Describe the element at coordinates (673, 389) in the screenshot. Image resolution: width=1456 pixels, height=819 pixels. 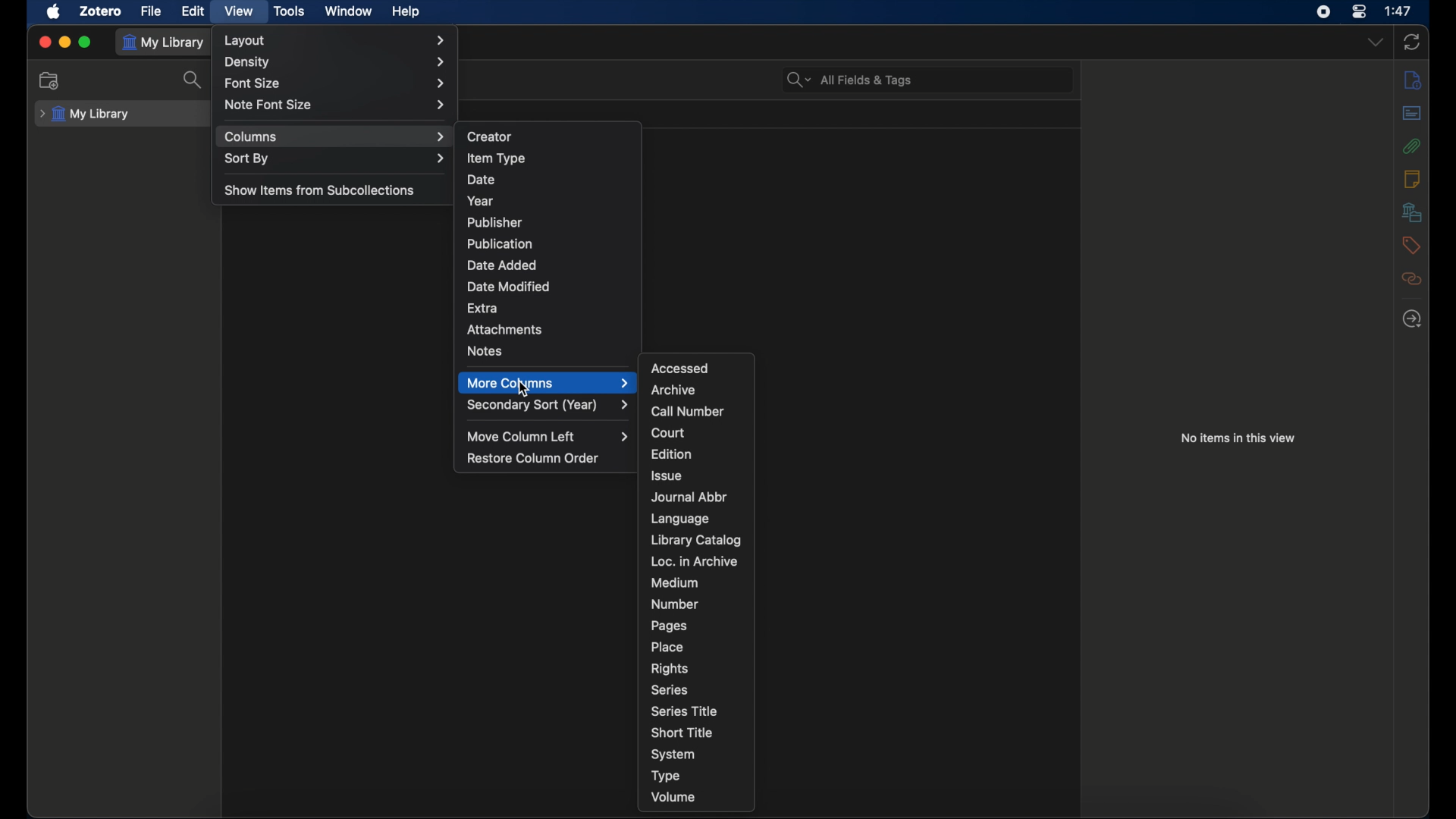
I see `archive` at that location.